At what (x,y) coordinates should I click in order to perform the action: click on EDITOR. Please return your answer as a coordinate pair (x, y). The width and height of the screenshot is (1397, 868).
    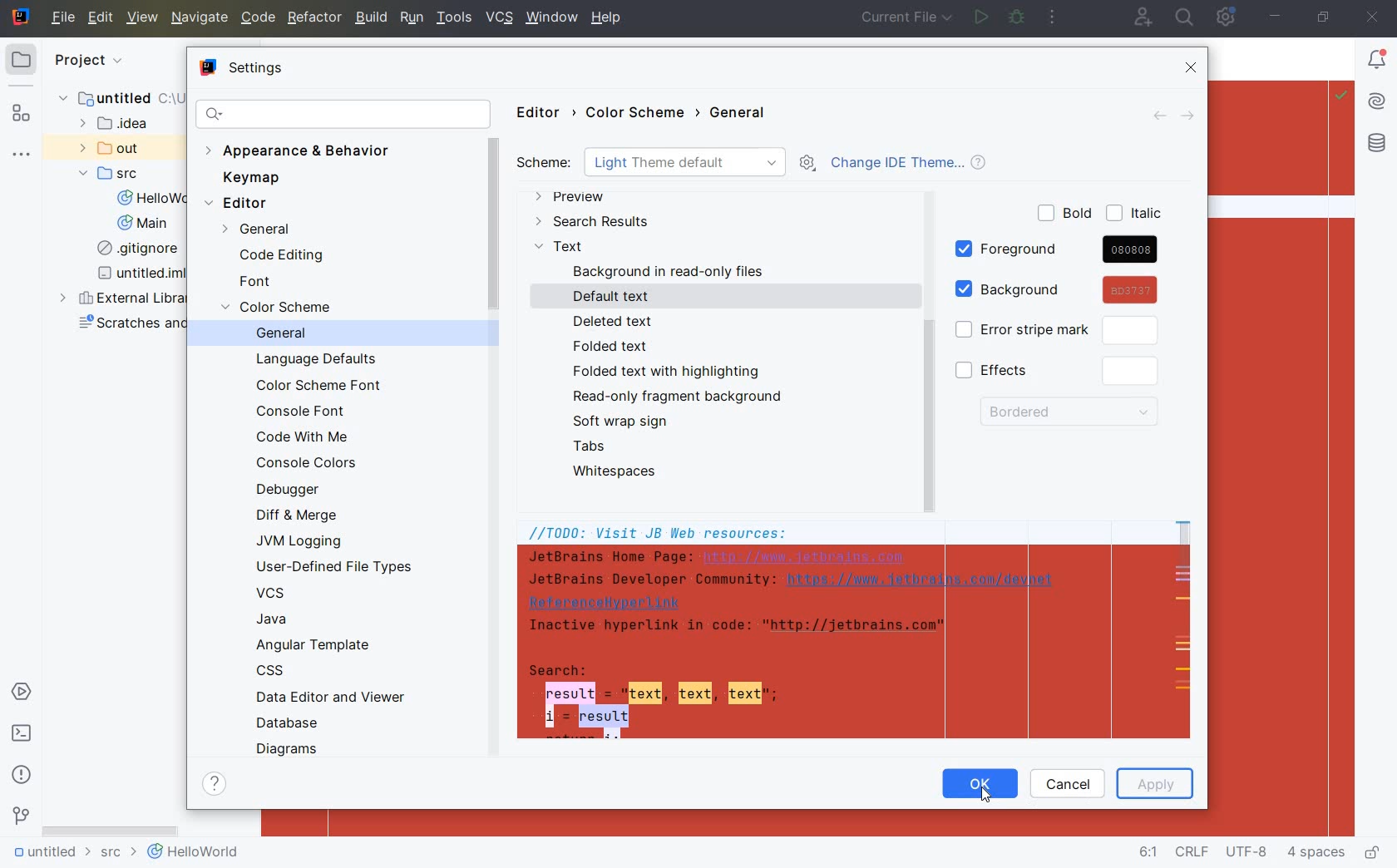
    Looking at the image, I should click on (240, 204).